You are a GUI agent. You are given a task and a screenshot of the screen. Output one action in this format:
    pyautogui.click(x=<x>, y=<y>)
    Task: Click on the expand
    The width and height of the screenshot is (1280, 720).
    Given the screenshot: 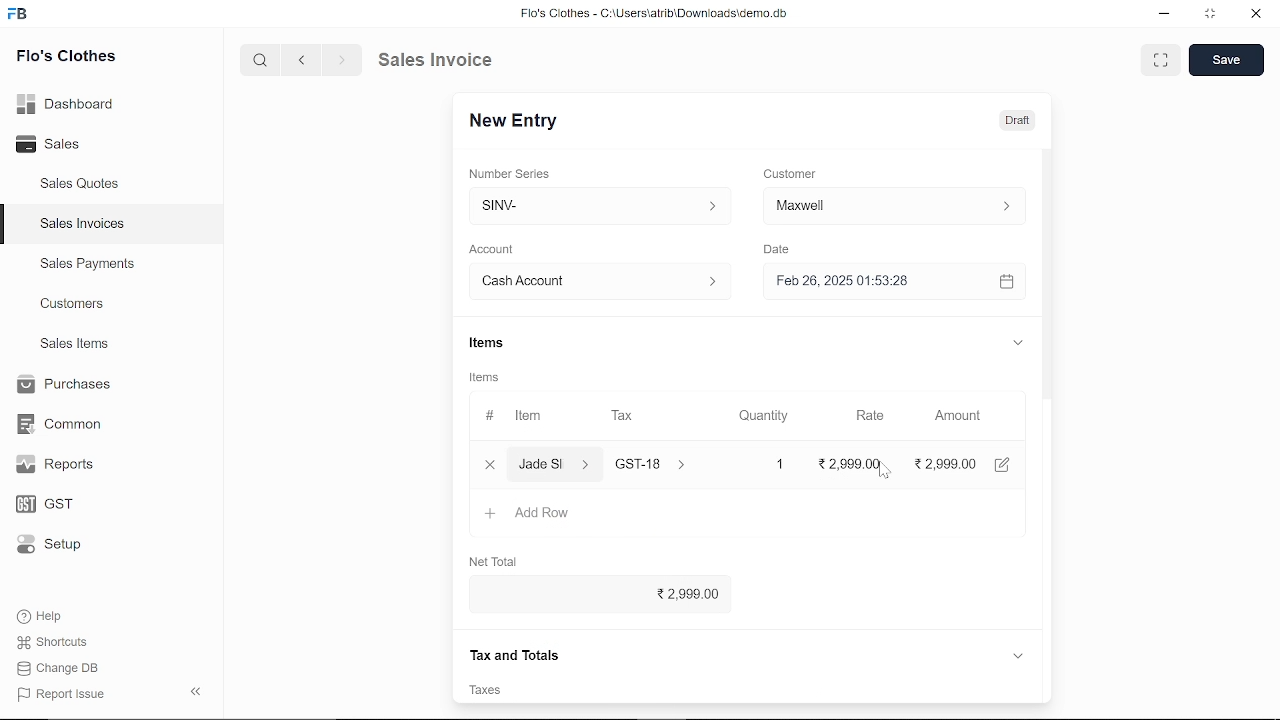 What is the action you would take?
    pyautogui.click(x=1016, y=341)
    